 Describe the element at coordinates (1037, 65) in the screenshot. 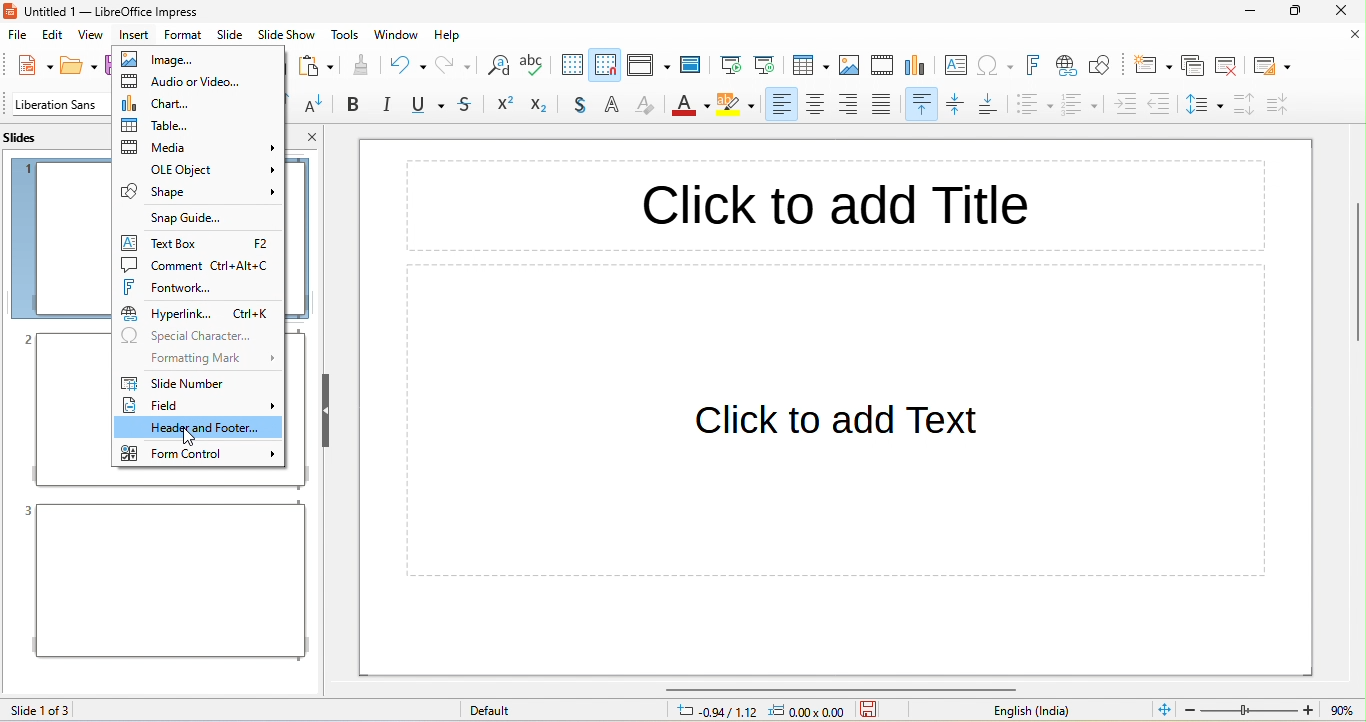

I see `fontwork text` at that location.